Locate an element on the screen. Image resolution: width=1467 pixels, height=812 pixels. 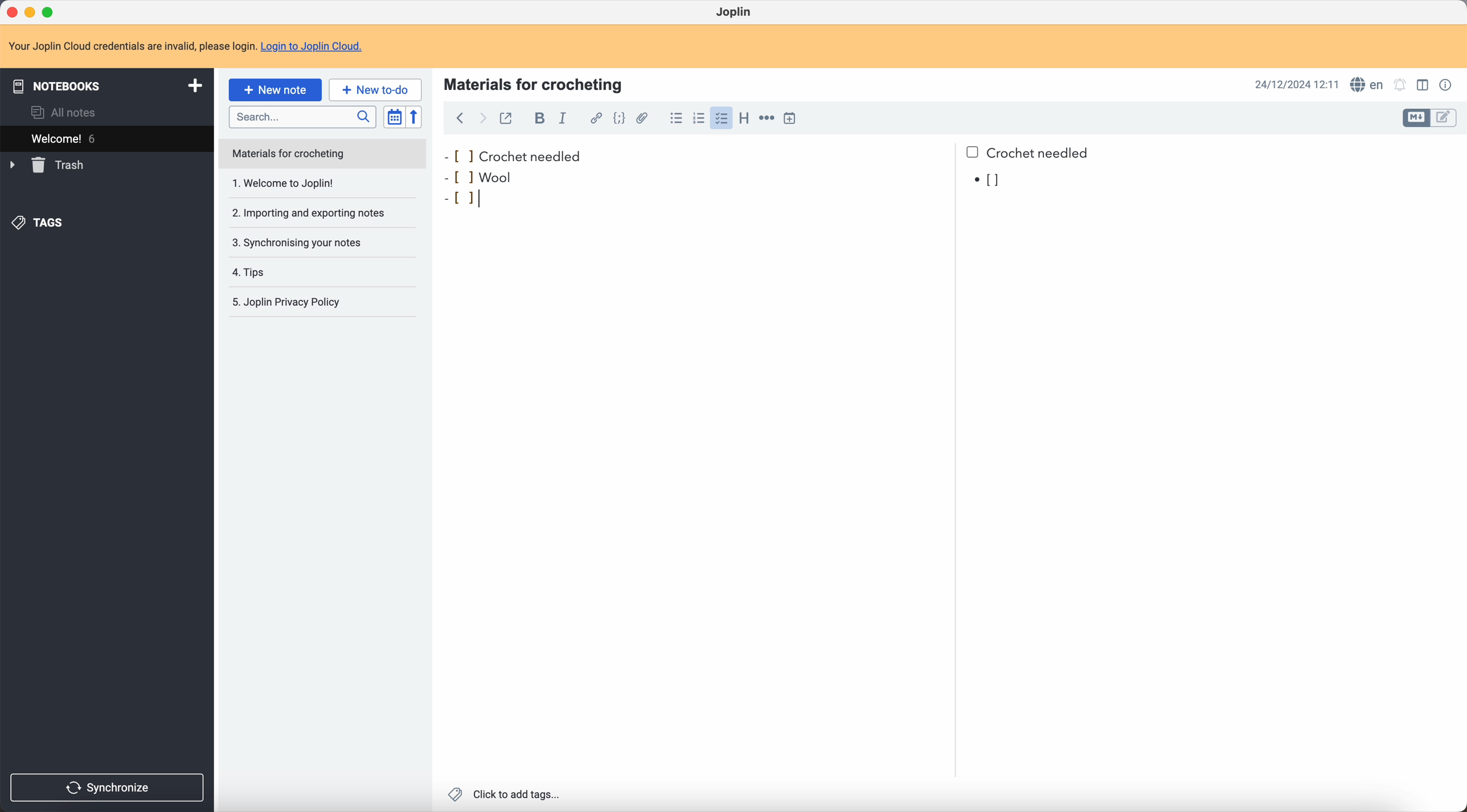
bullet point is located at coordinates (468, 198).